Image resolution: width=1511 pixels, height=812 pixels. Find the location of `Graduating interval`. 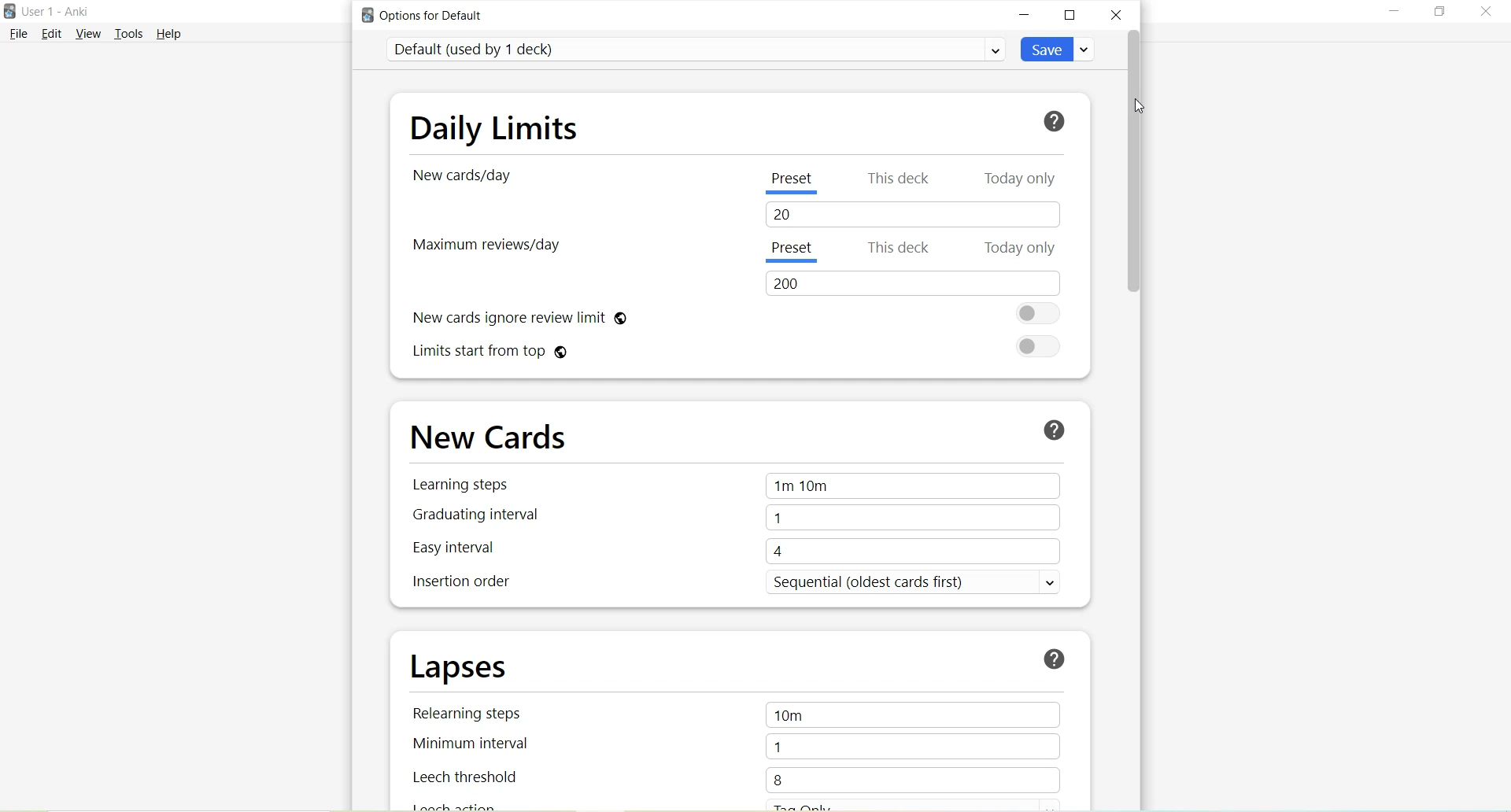

Graduating interval is located at coordinates (477, 513).